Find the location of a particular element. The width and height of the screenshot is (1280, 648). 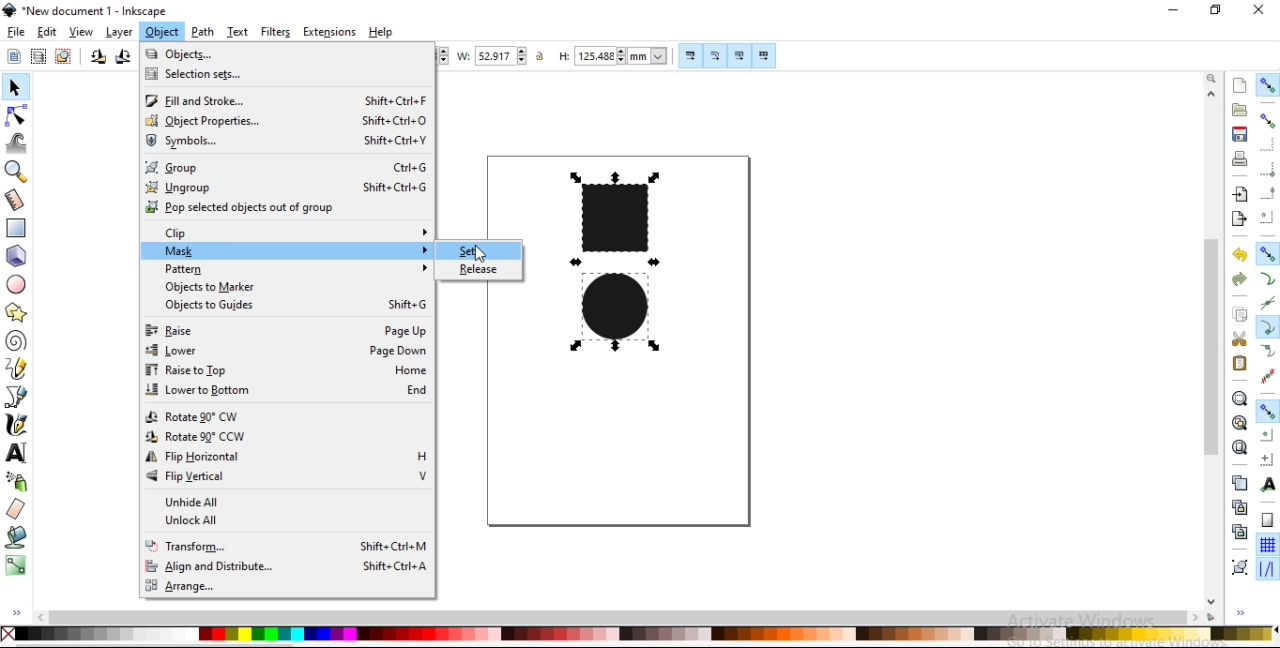

zoom in or out is located at coordinates (14, 174).